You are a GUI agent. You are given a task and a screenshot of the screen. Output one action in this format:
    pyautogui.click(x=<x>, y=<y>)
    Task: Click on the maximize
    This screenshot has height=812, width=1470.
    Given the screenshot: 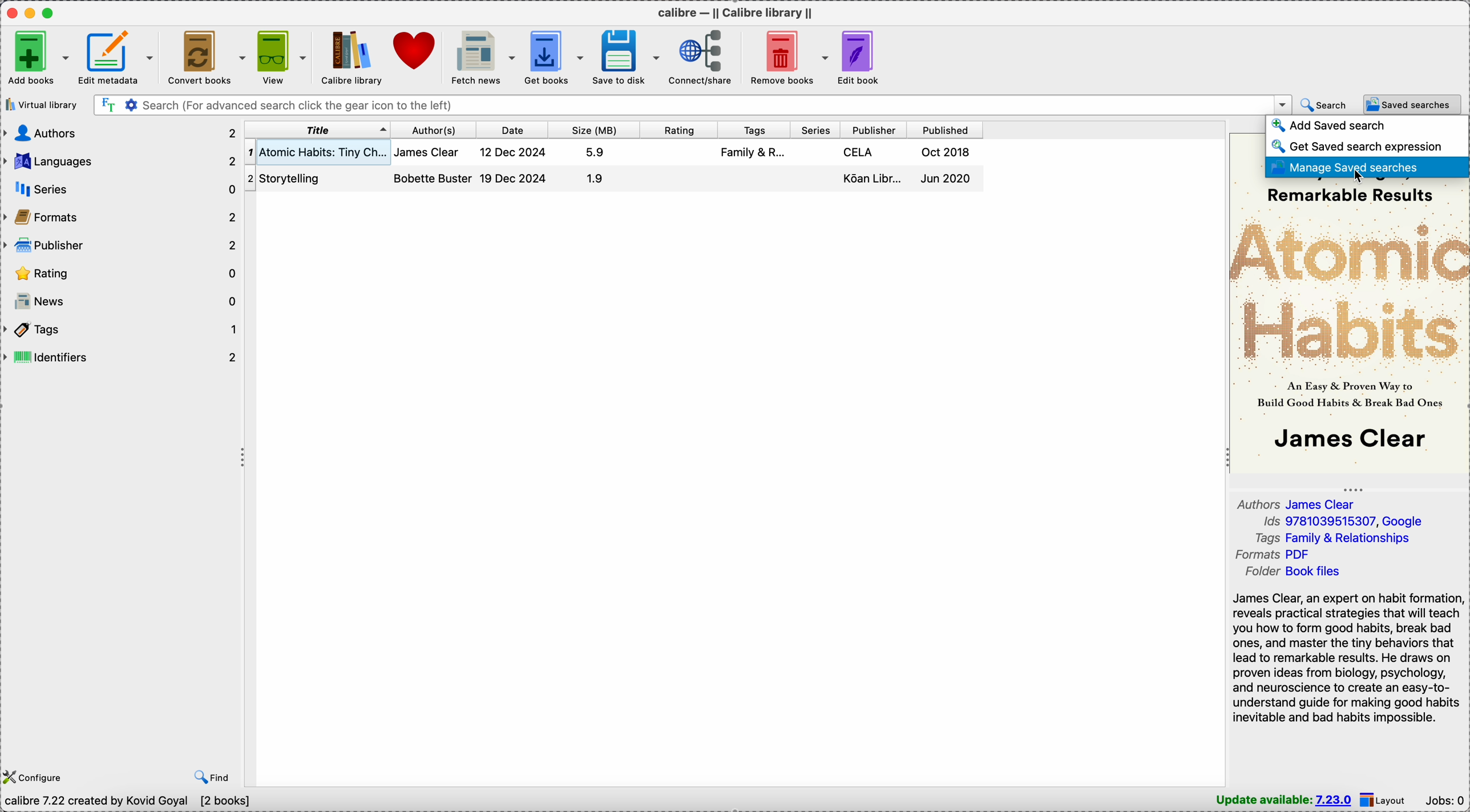 What is the action you would take?
    pyautogui.click(x=49, y=12)
    